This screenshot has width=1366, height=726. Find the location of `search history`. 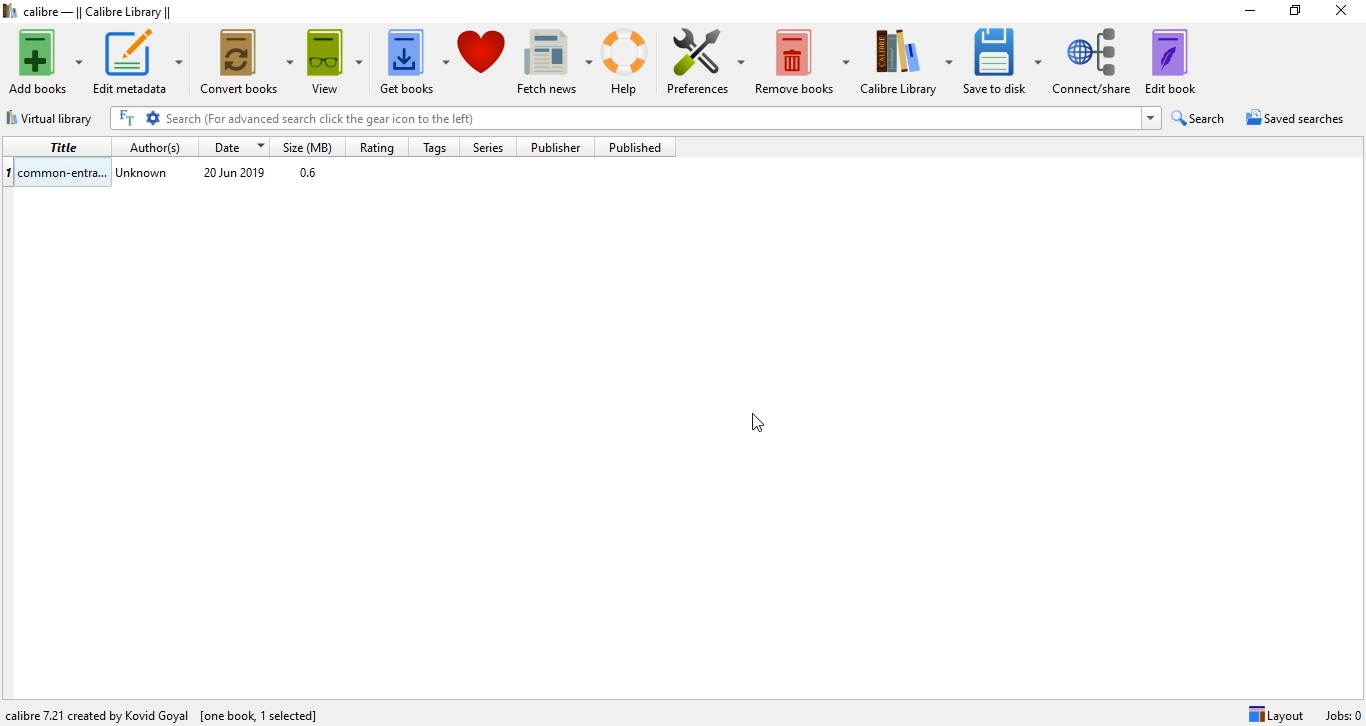

search history is located at coordinates (1151, 119).